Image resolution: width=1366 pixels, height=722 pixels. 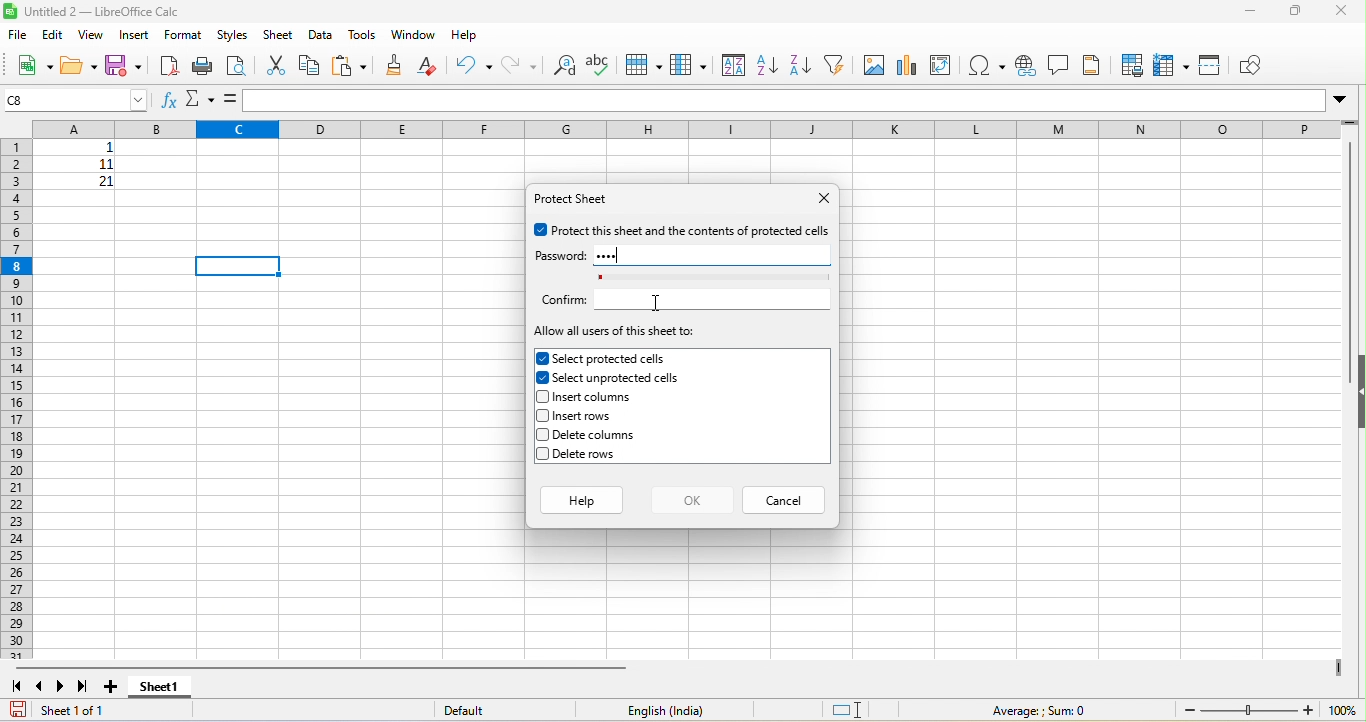 What do you see at coordinates (95, 12) in the screenshot?
I see `title` at bounding box center [95, 12].